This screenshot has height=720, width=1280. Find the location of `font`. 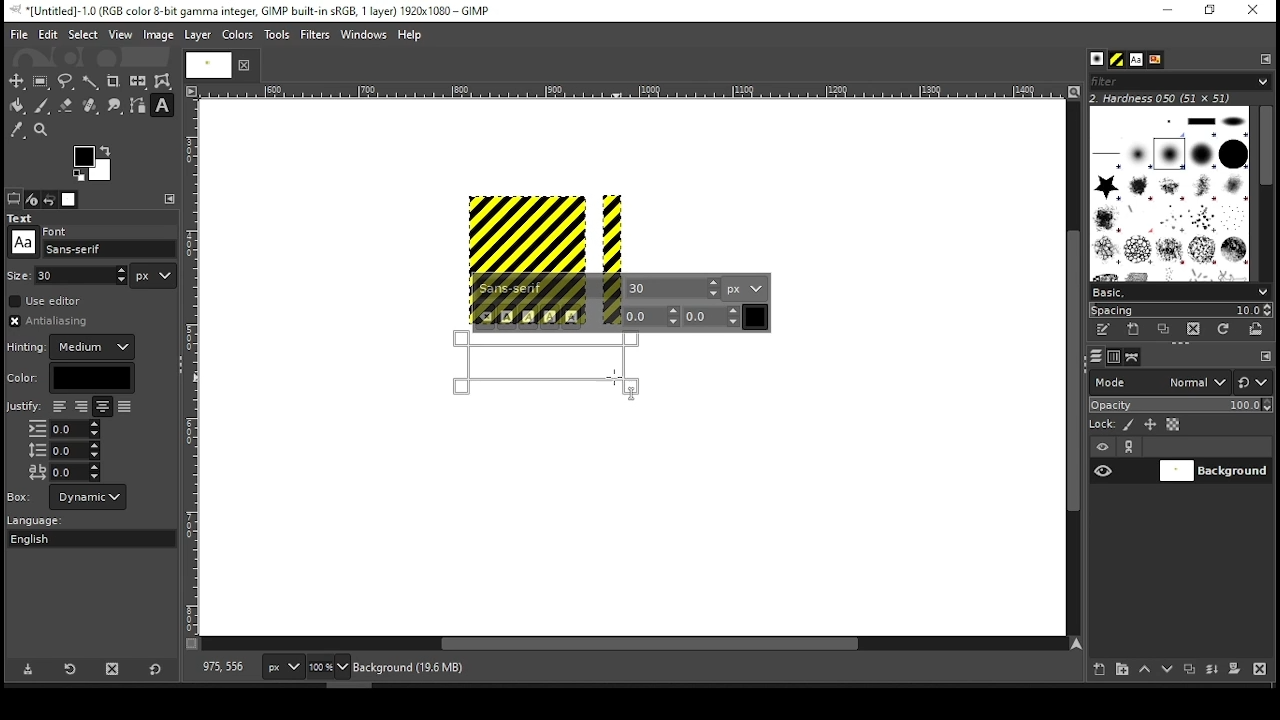

font is located at coordinates (110, 249).